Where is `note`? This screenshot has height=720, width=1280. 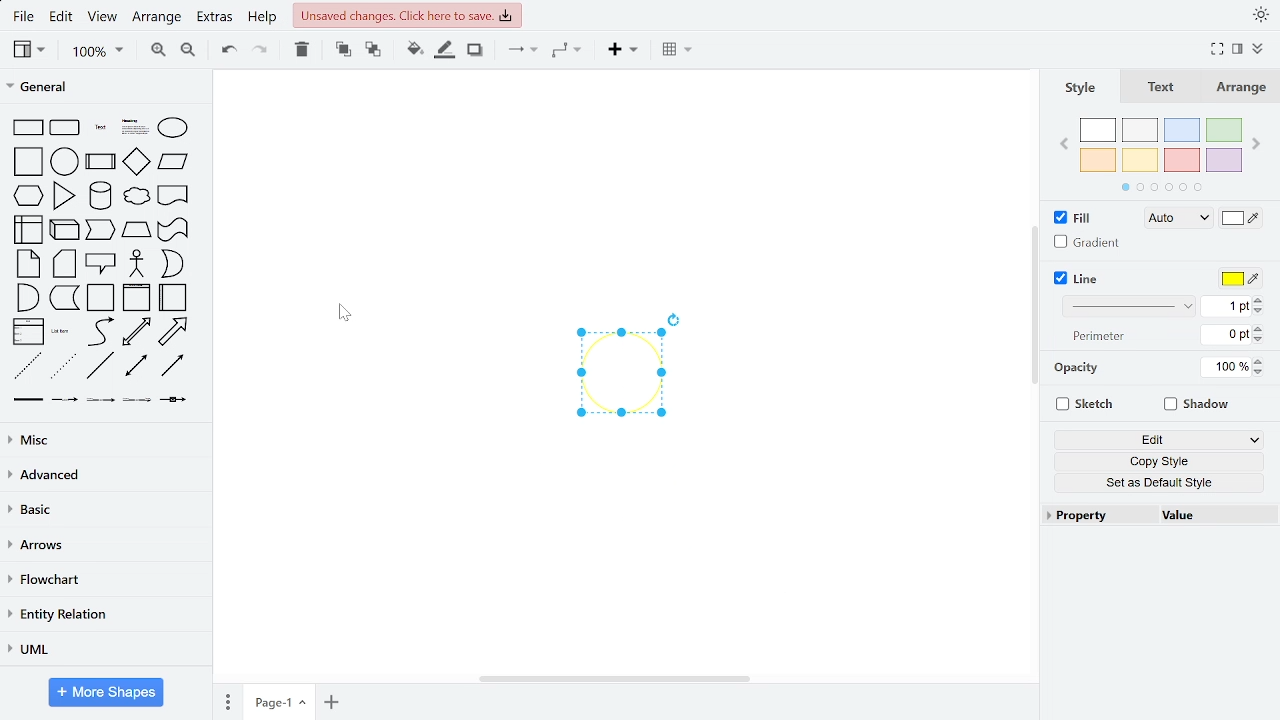
note is located at coordinates (28, 264).